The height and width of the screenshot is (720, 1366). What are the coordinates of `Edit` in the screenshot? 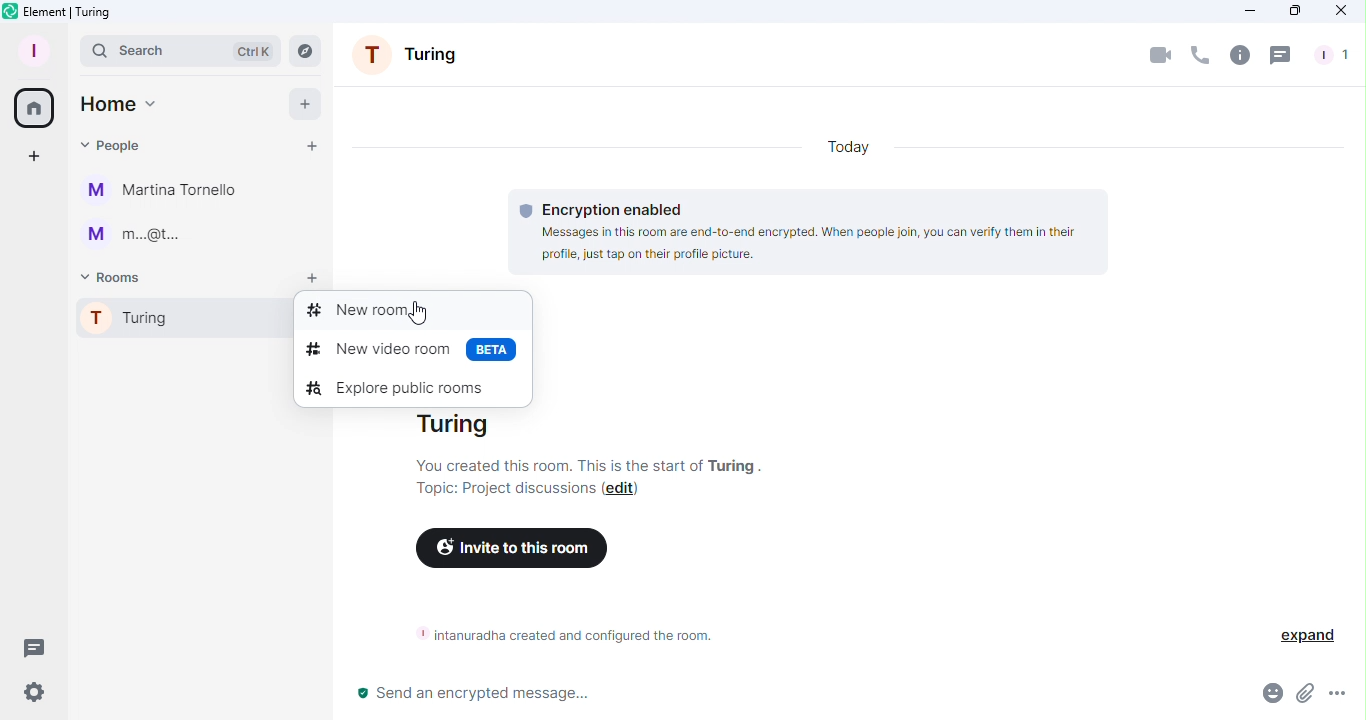 It's located at (623, 491).